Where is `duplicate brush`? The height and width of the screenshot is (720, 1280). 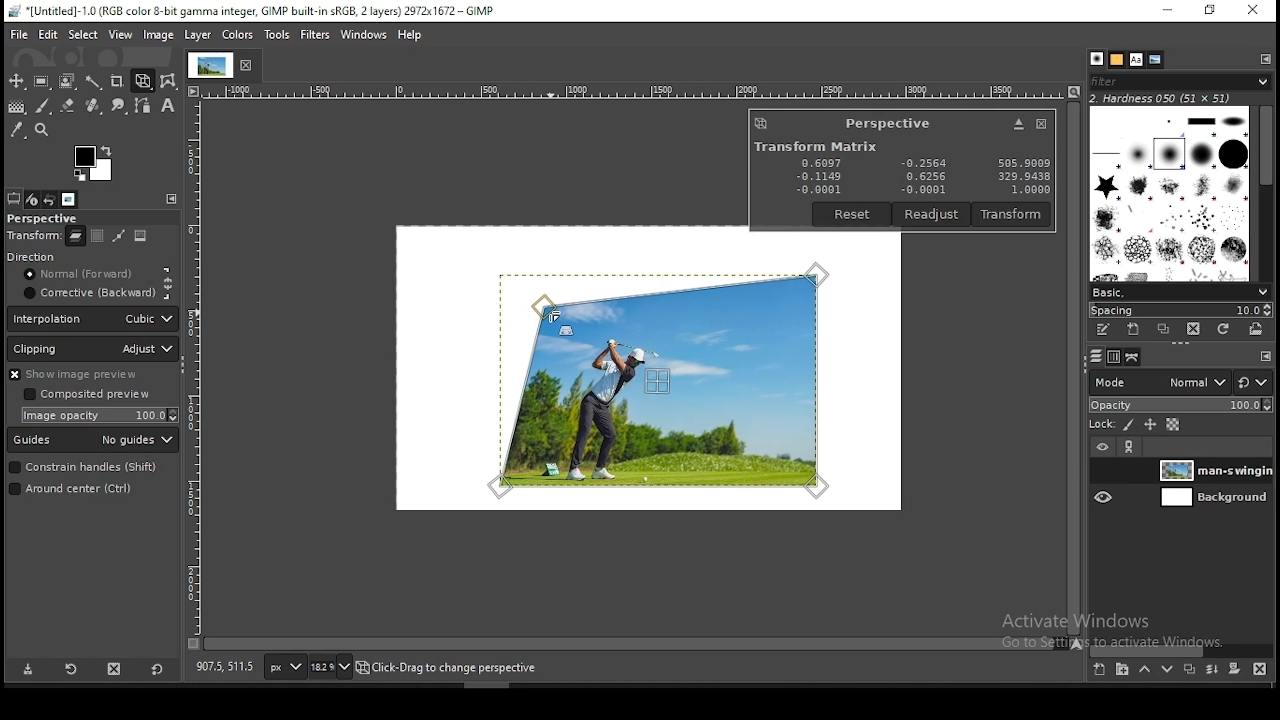 duplicate brush is located at coordinates (1163, 330).